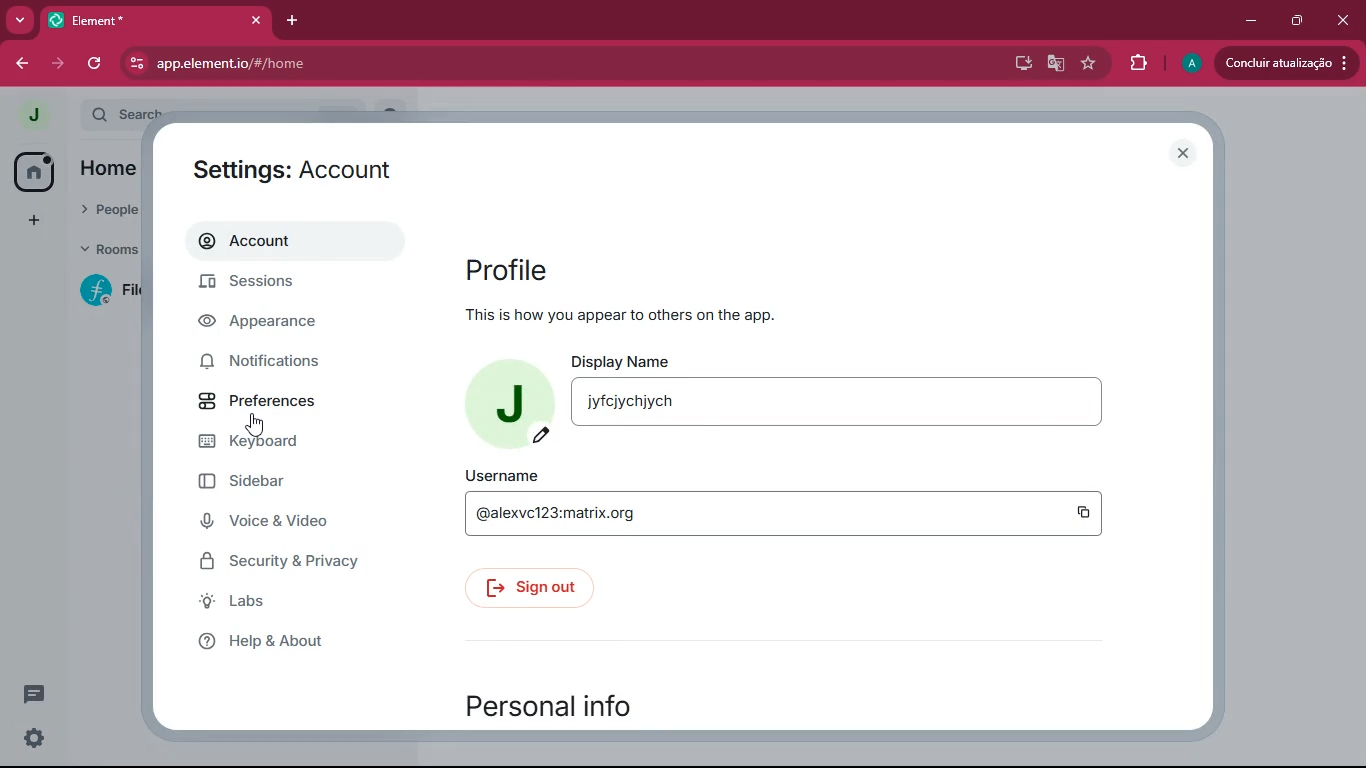 Image resolution: width=1366 pixels, height=768 pixels. Describe the element at coordinates (276, 445) in the screenshot. I see `keyboard` at that location.